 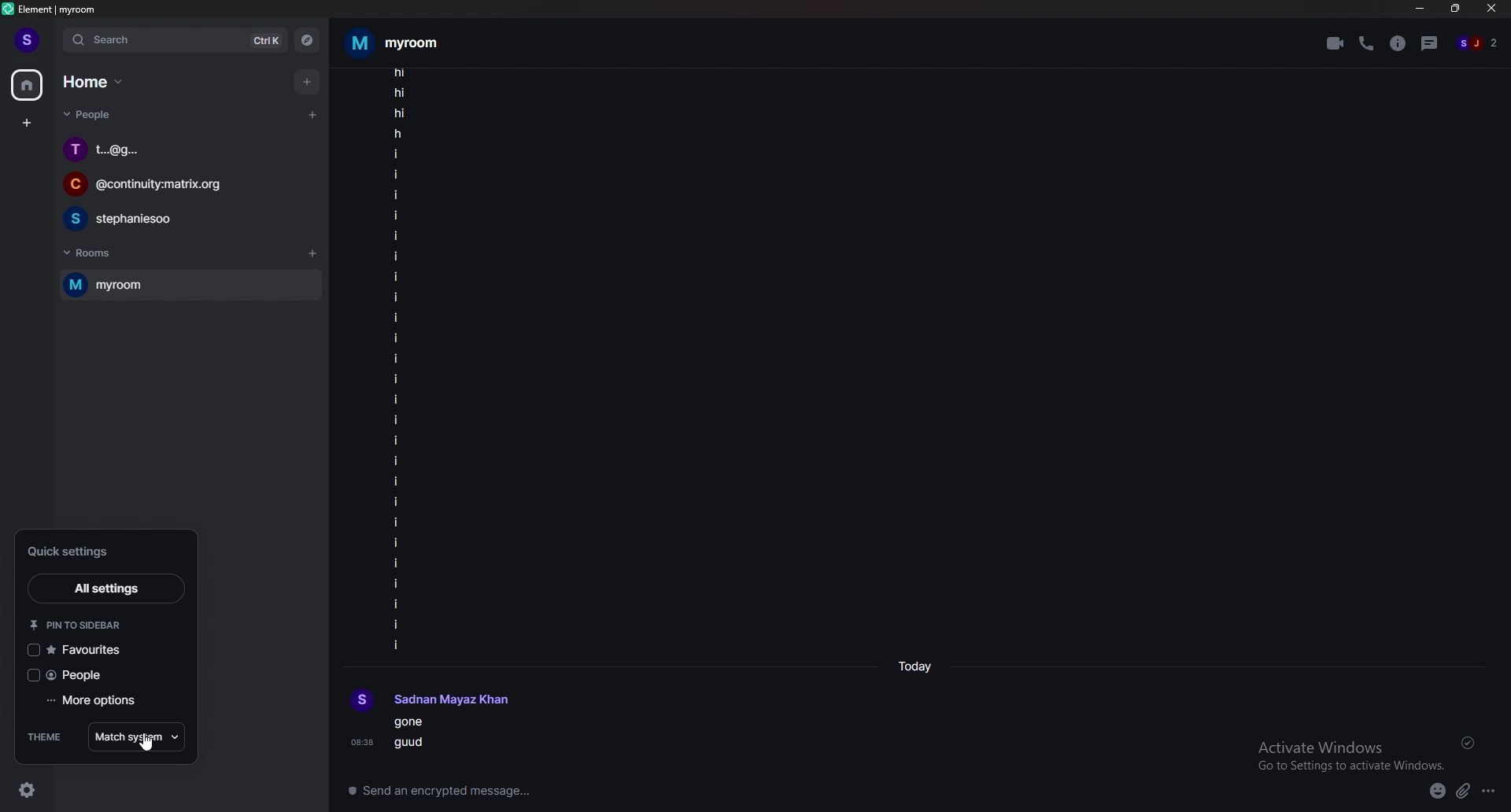 I want to click on texts, so click(x=397, y=359).